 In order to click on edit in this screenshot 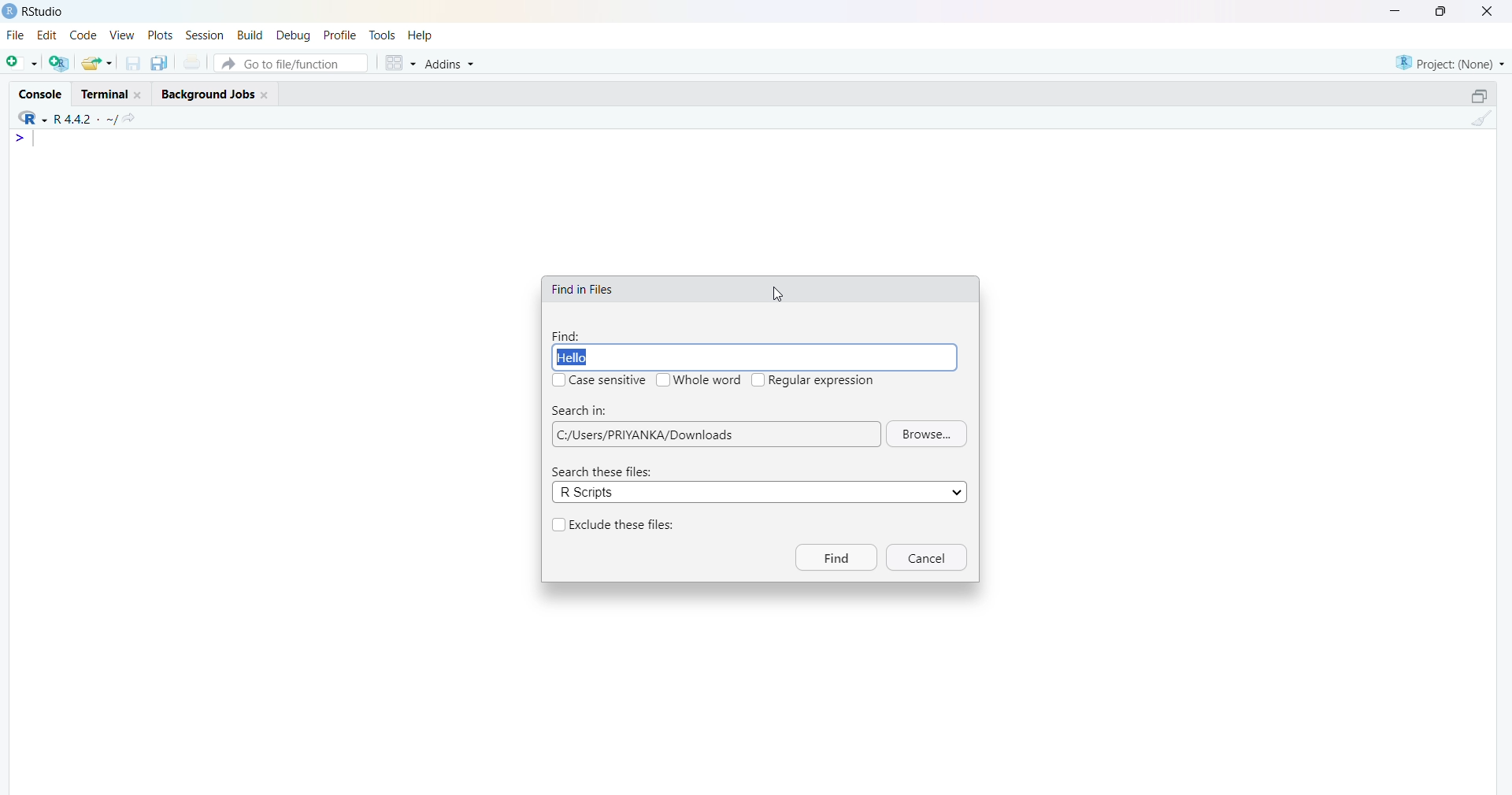, I will do `click(47, 35)`.